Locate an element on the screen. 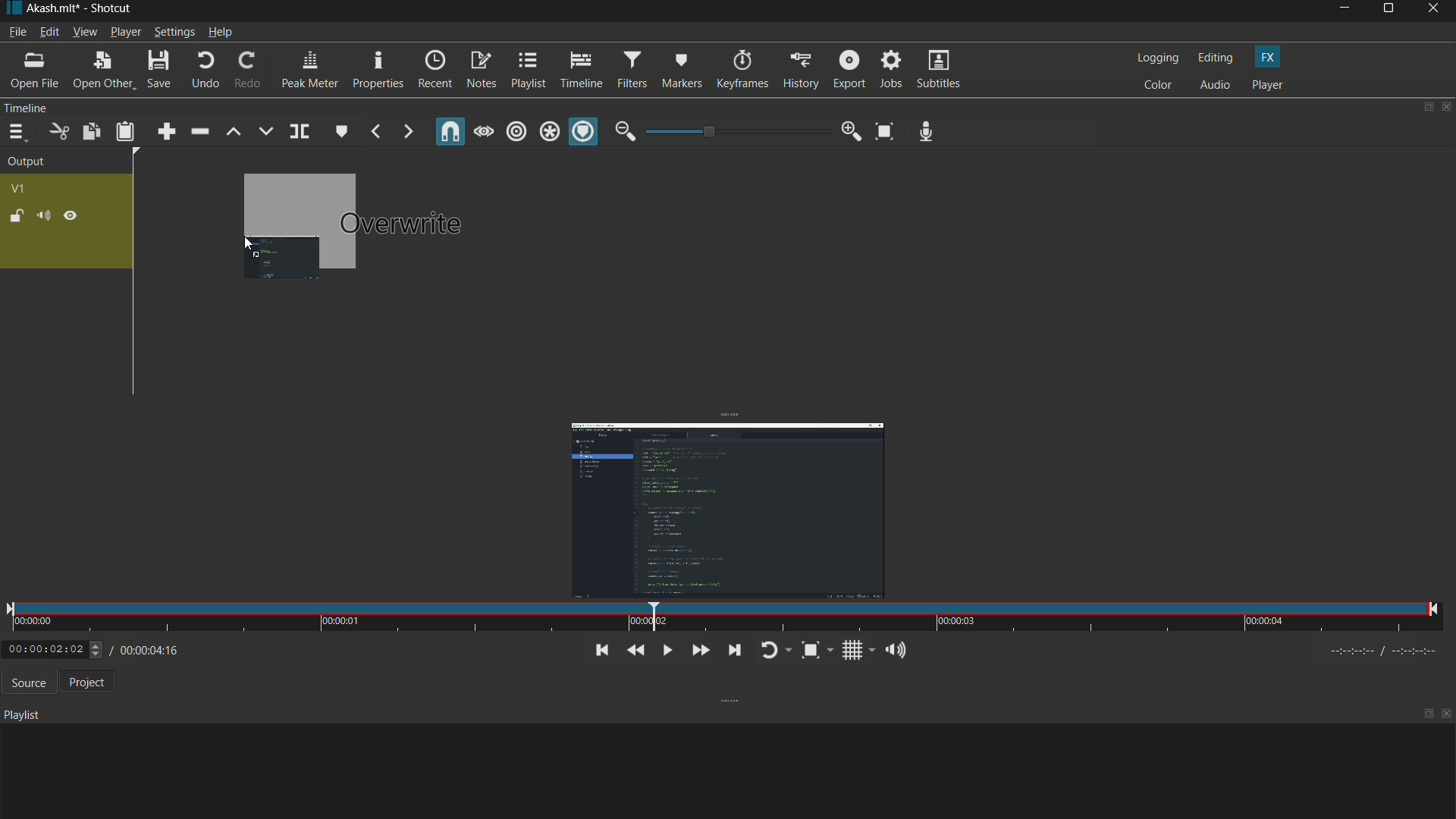 Image resolution: width=1456 pixels, height=819 pixels. zoom in is located at coordinates (852, 131).